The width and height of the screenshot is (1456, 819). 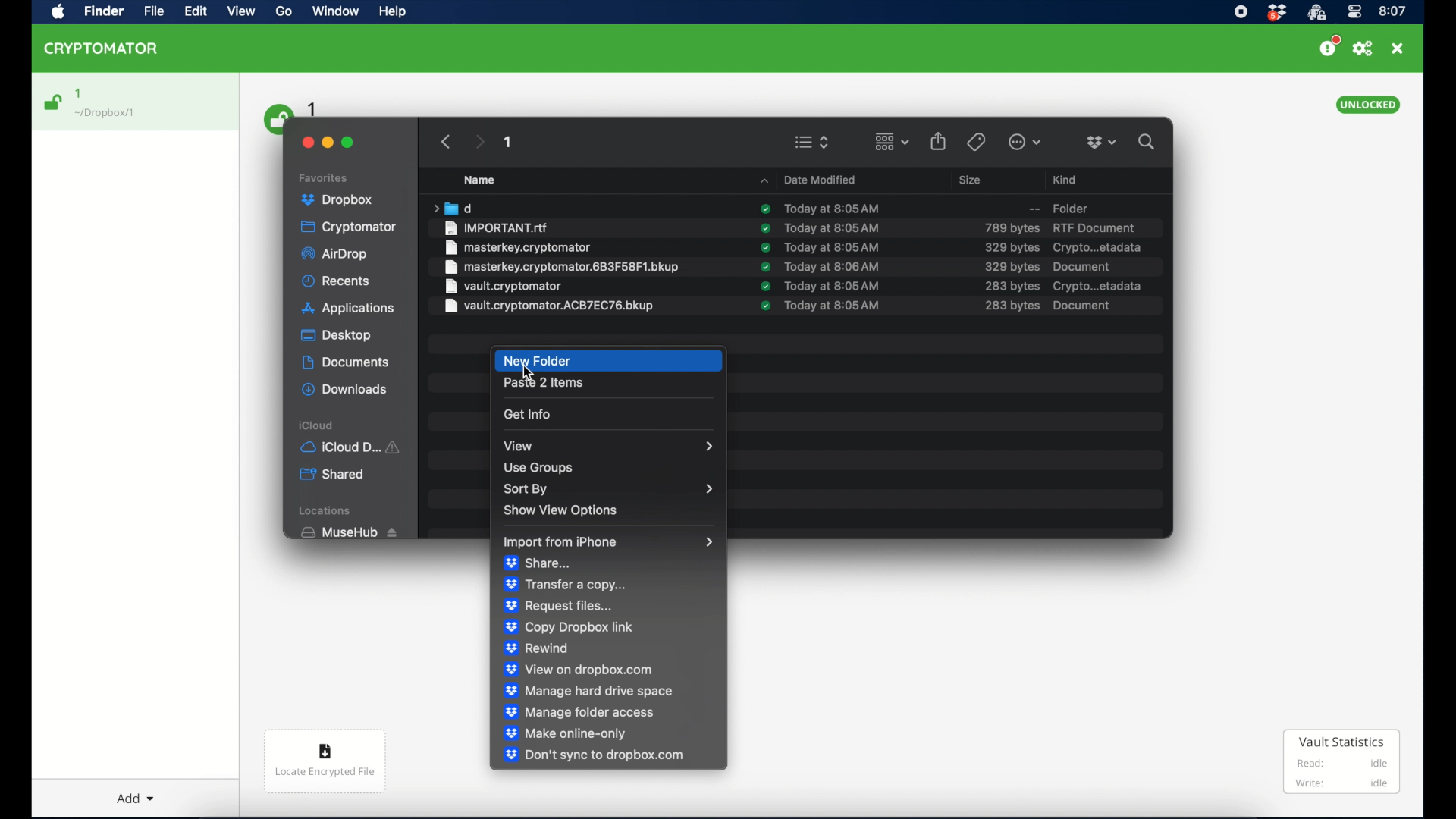 What do you see at coordinates (527, 373) in the screenshot?
I see `cursor` at bounding box center [527, 373].